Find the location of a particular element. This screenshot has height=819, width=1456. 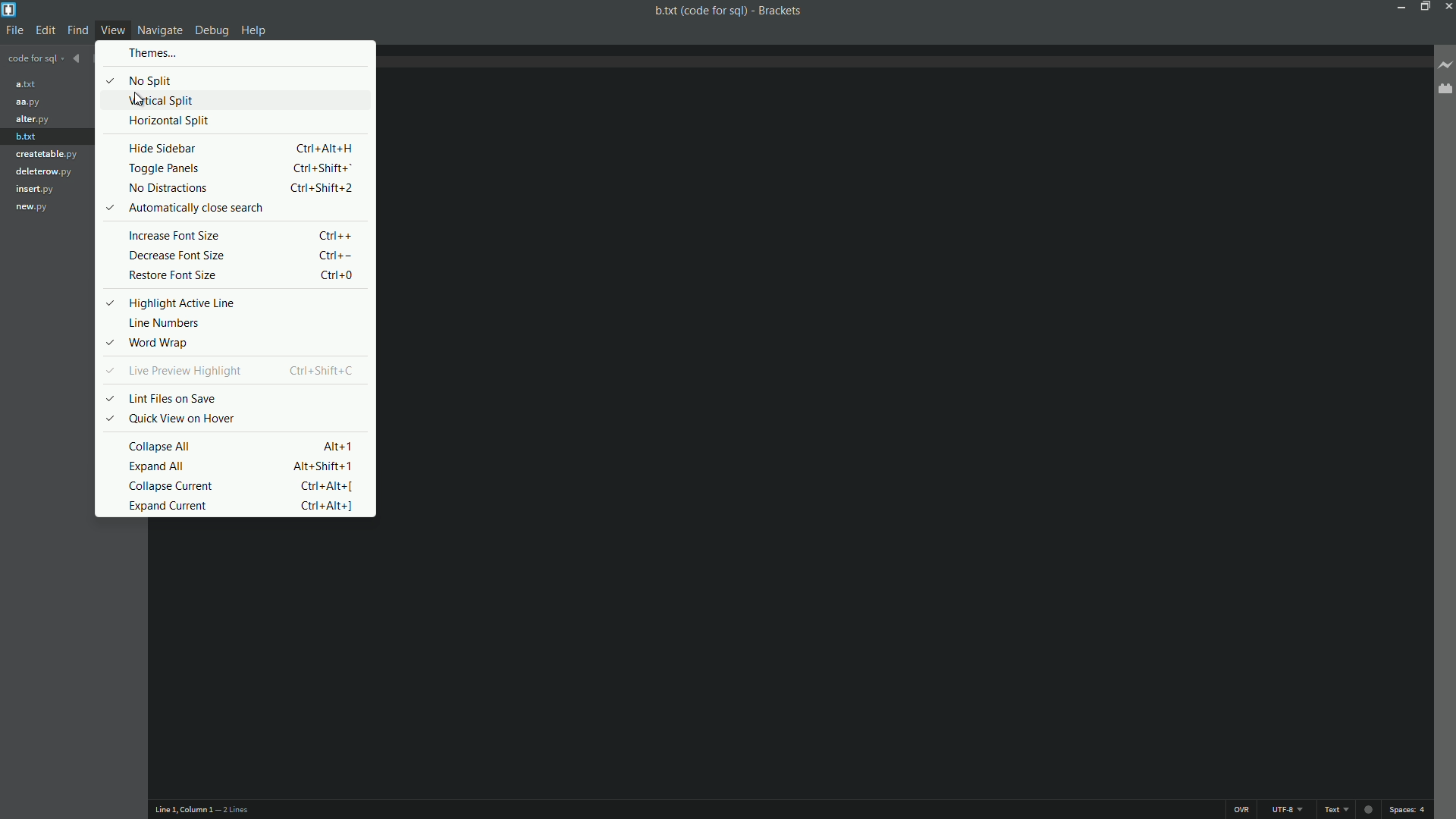

toggle panels is located at coordinates (242, 170).